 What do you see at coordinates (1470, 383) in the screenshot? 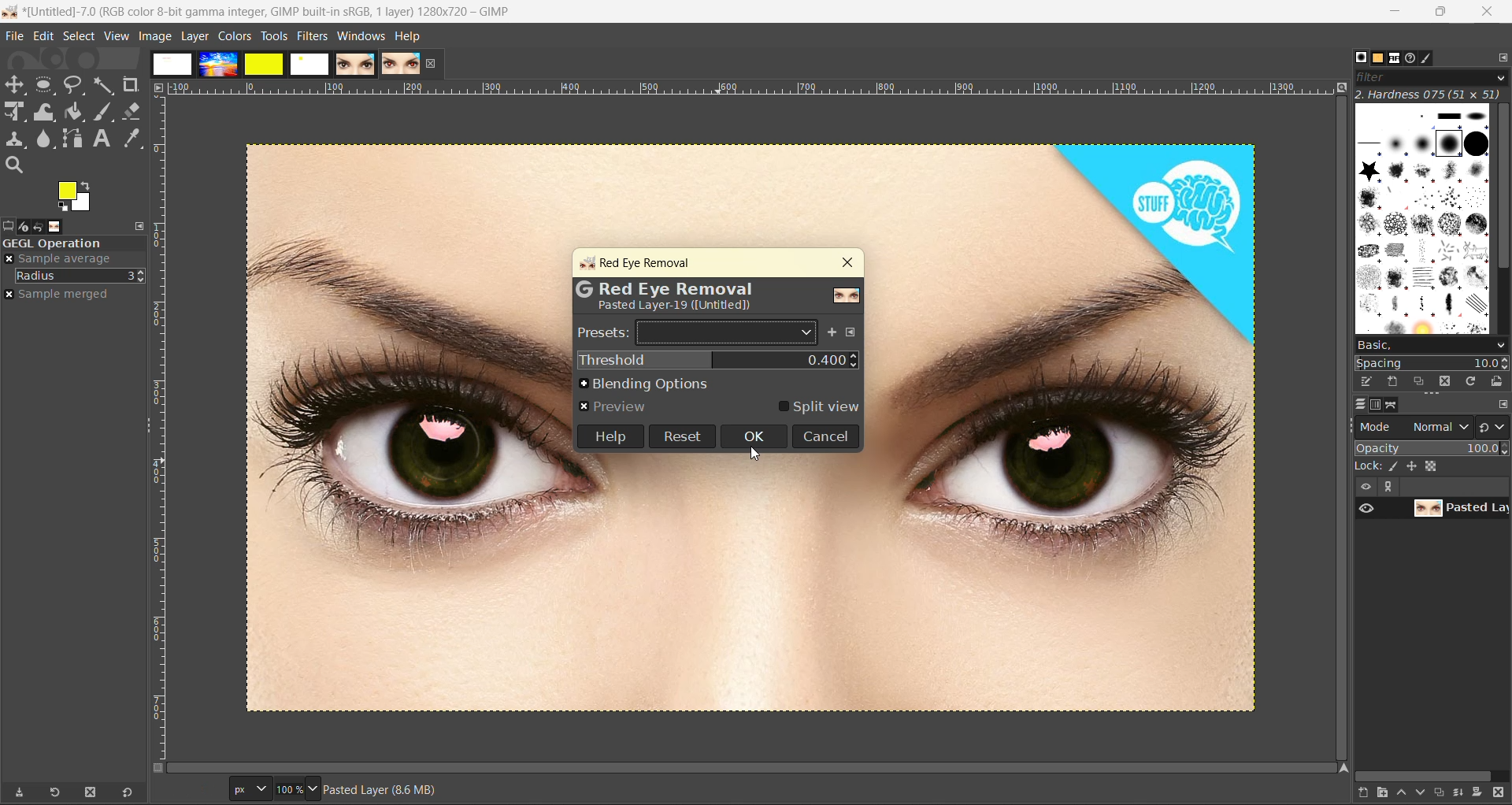
I see `refresh brushes` at bounding box center [1470, 383].